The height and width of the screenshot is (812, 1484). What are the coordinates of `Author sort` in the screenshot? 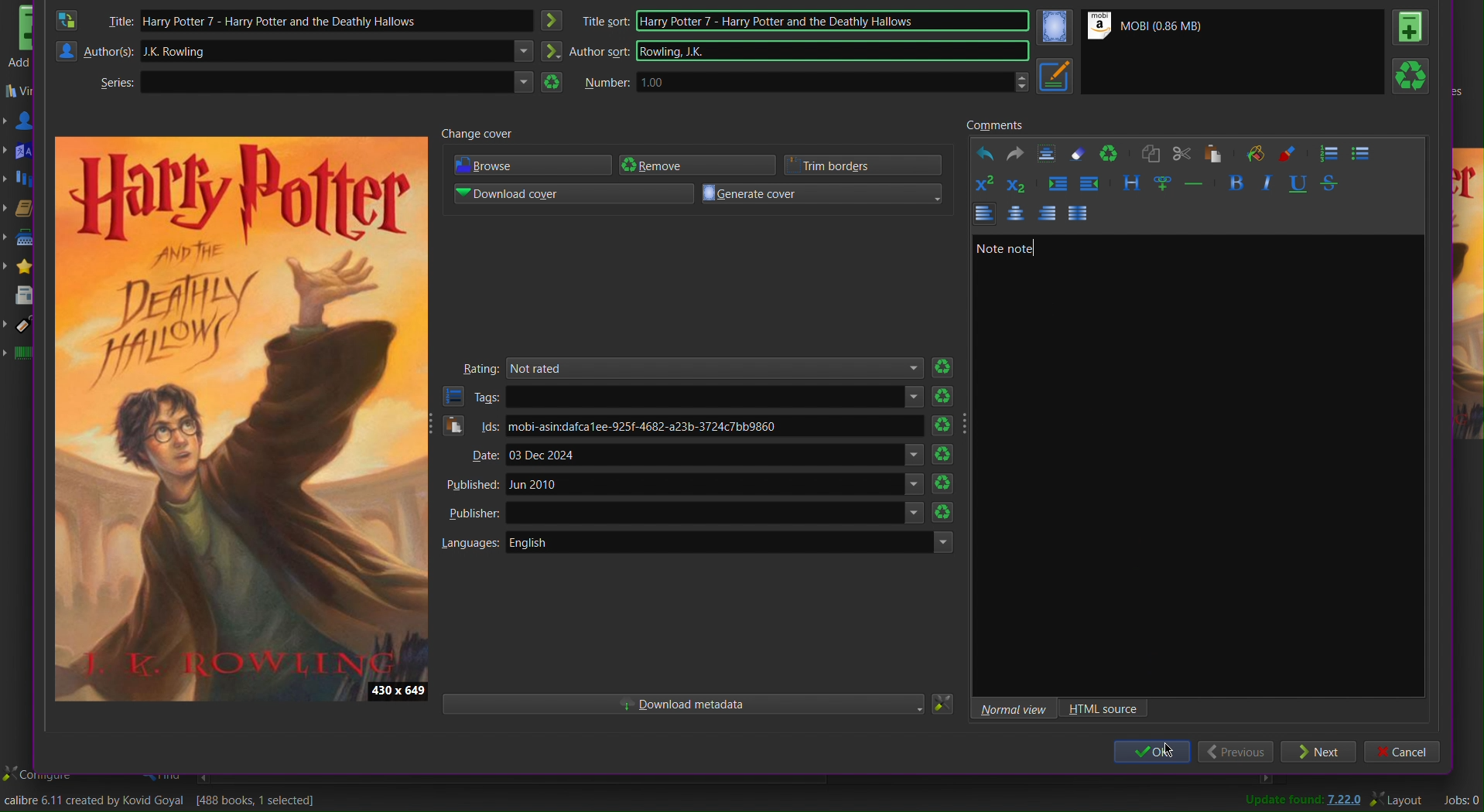 It's located at (601, 49).